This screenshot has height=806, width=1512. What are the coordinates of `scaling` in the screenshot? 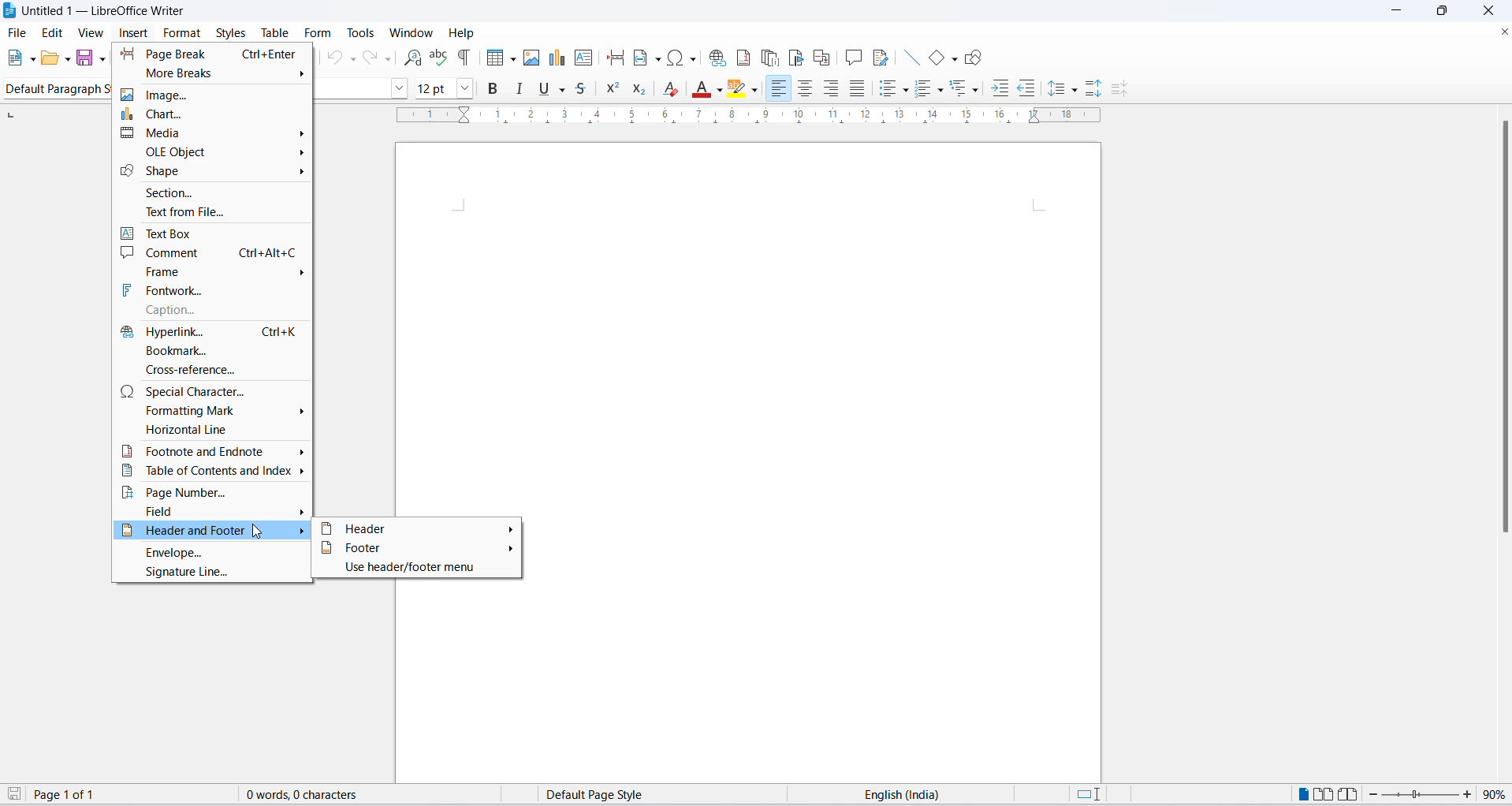 It's located at (757, 122).